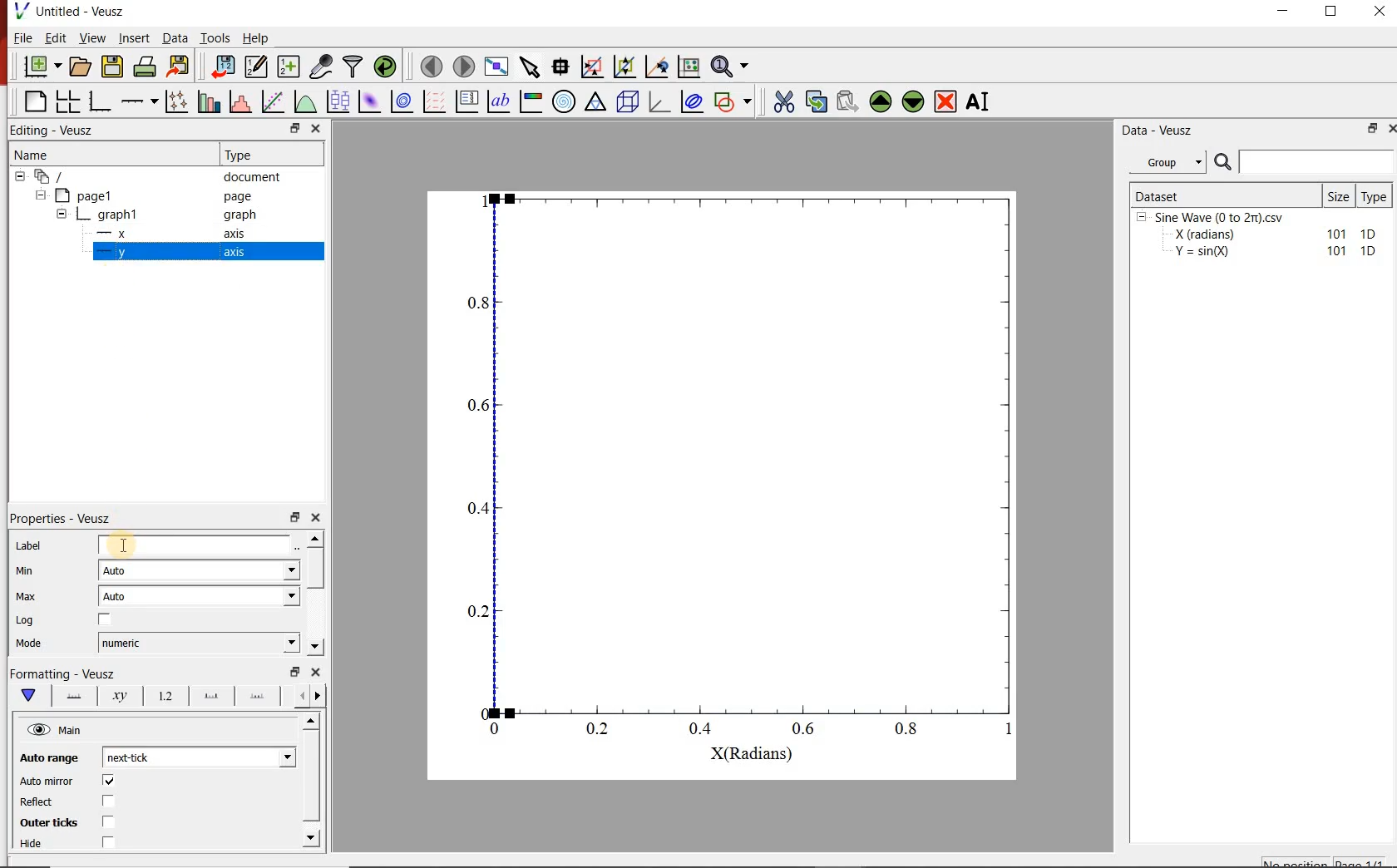 The width and height of the screenshot is (1397, 868). I want to click on add an axis, so click(139, 101).